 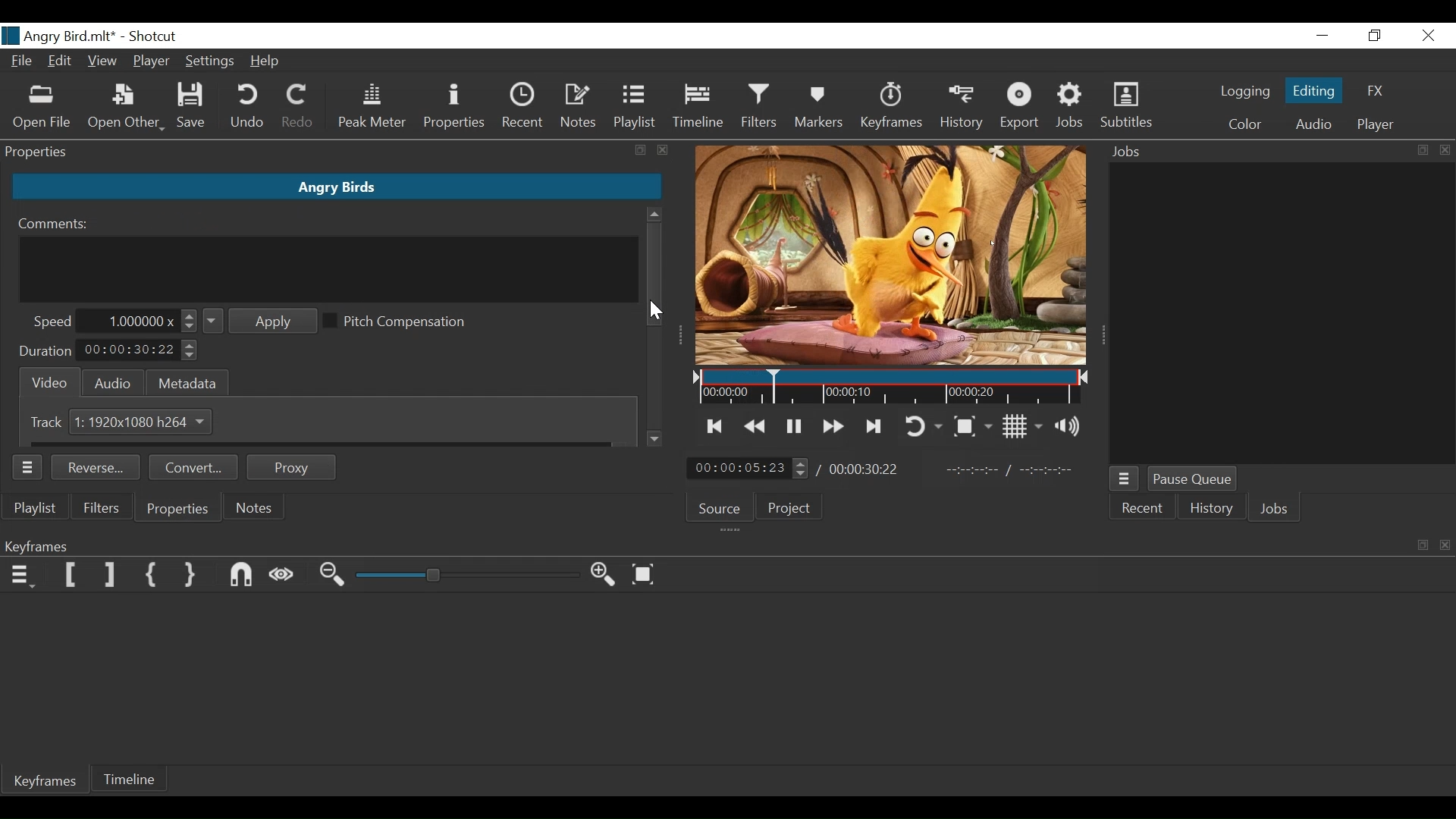 I want to click on Jobs Panel, so click(x=1275, y=152).